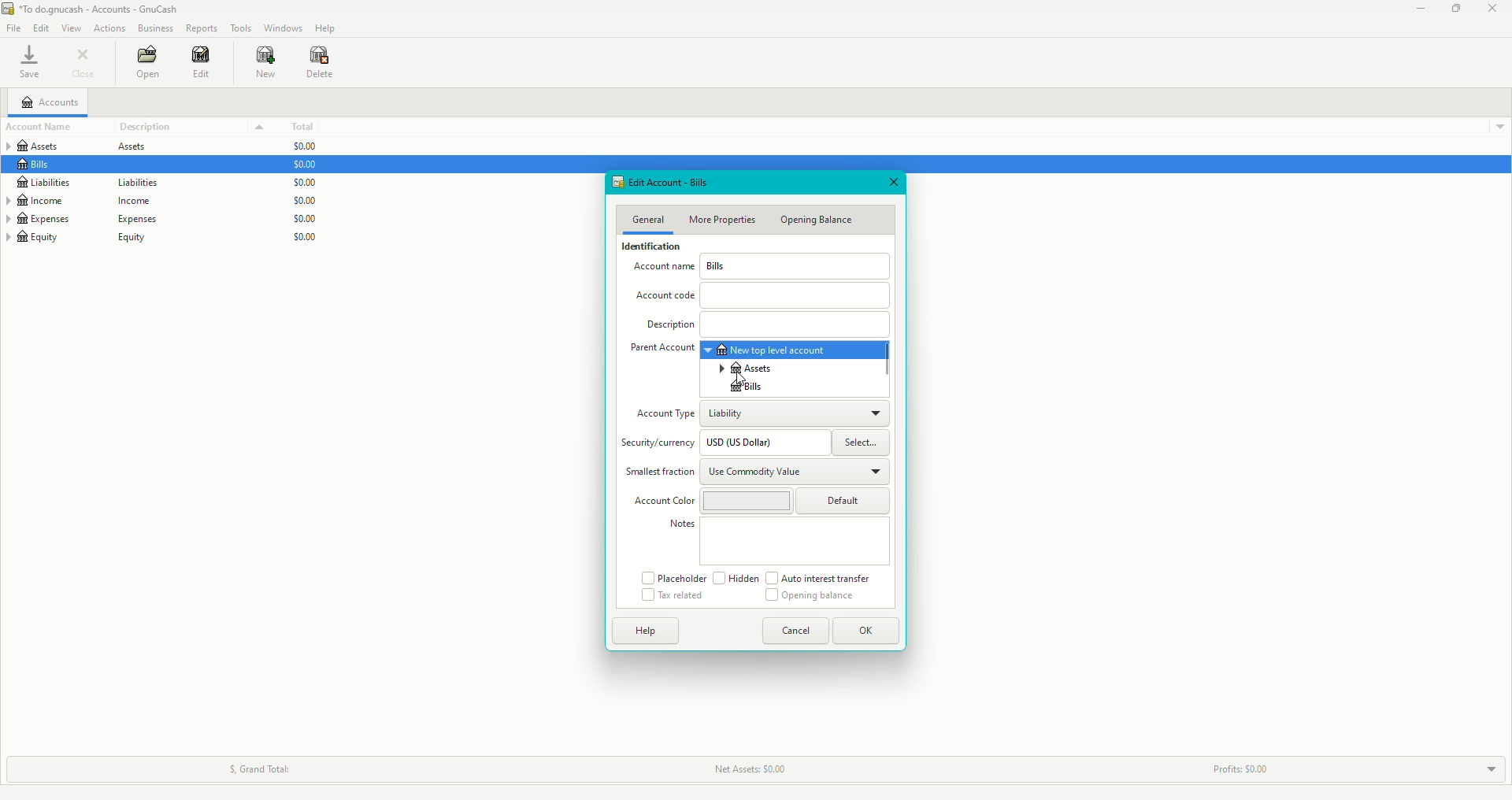  What do you see at coordinates (326, 29) in the screenshot?
I see `Help` at bounding box center [326, 29].